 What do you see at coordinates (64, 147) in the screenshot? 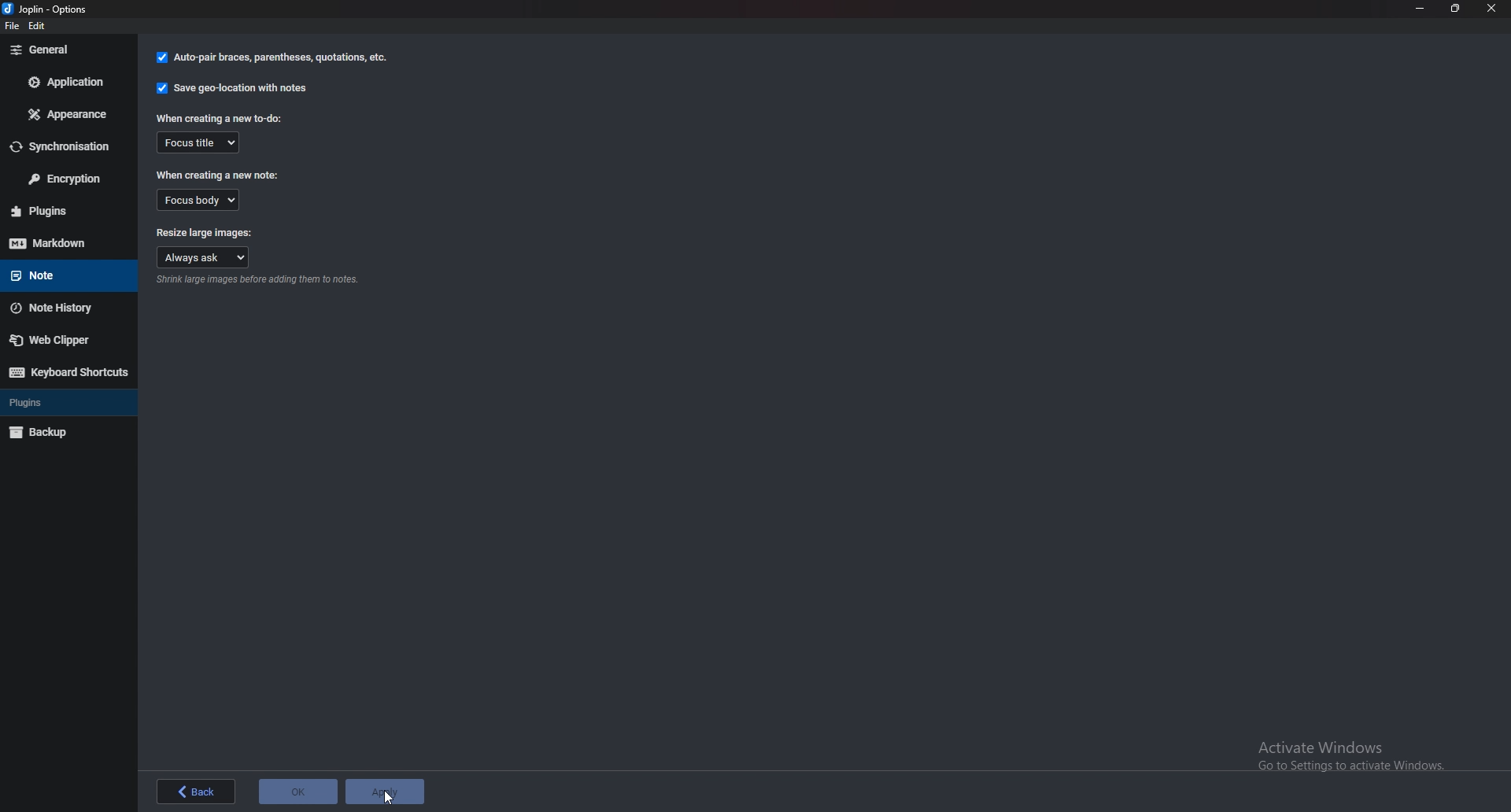
I see `Synchronize` at bounding box center [64, 147].